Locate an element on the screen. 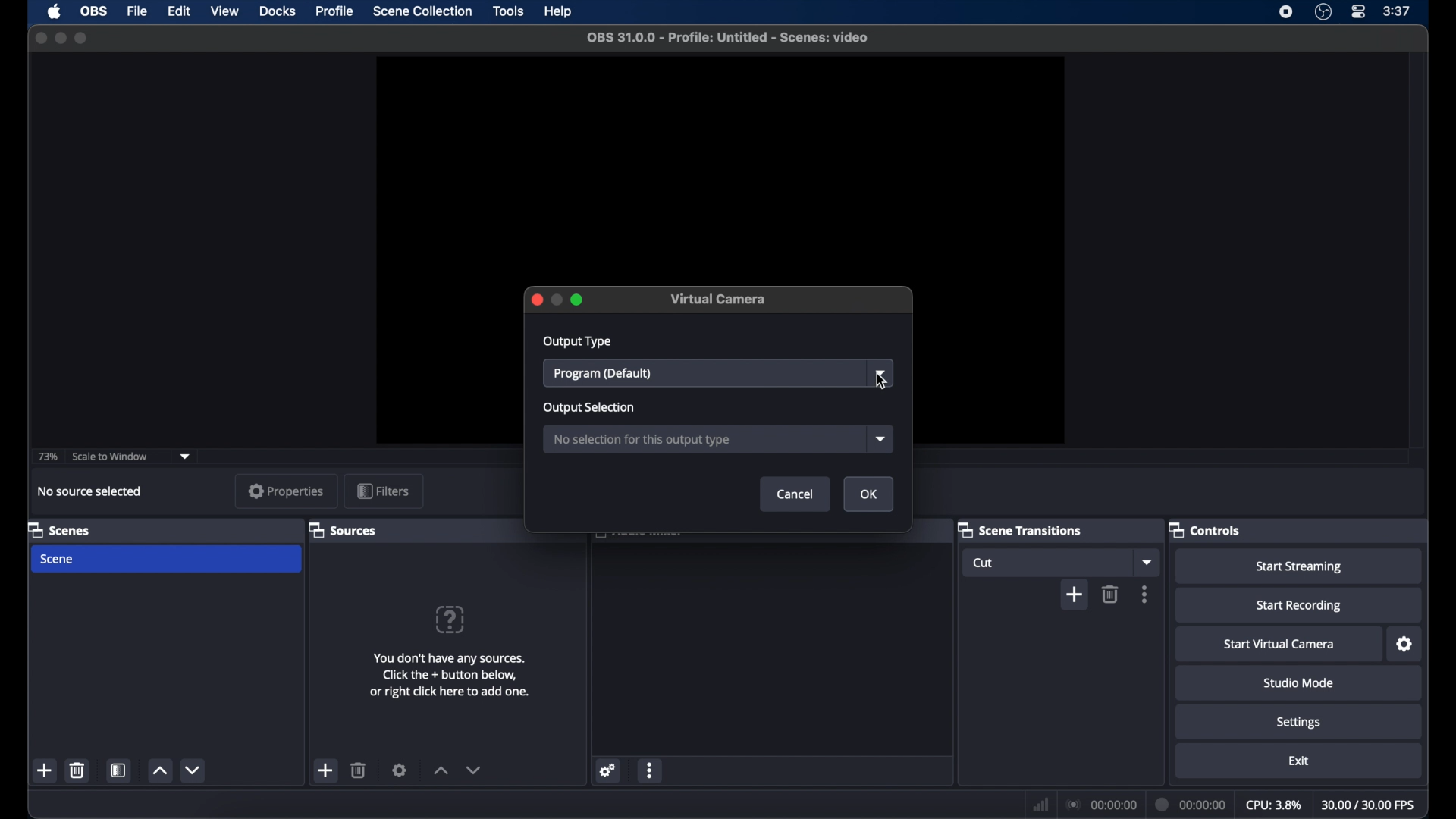 The image size is (1456, 819). program (default) is located at coordinates (602, 374).